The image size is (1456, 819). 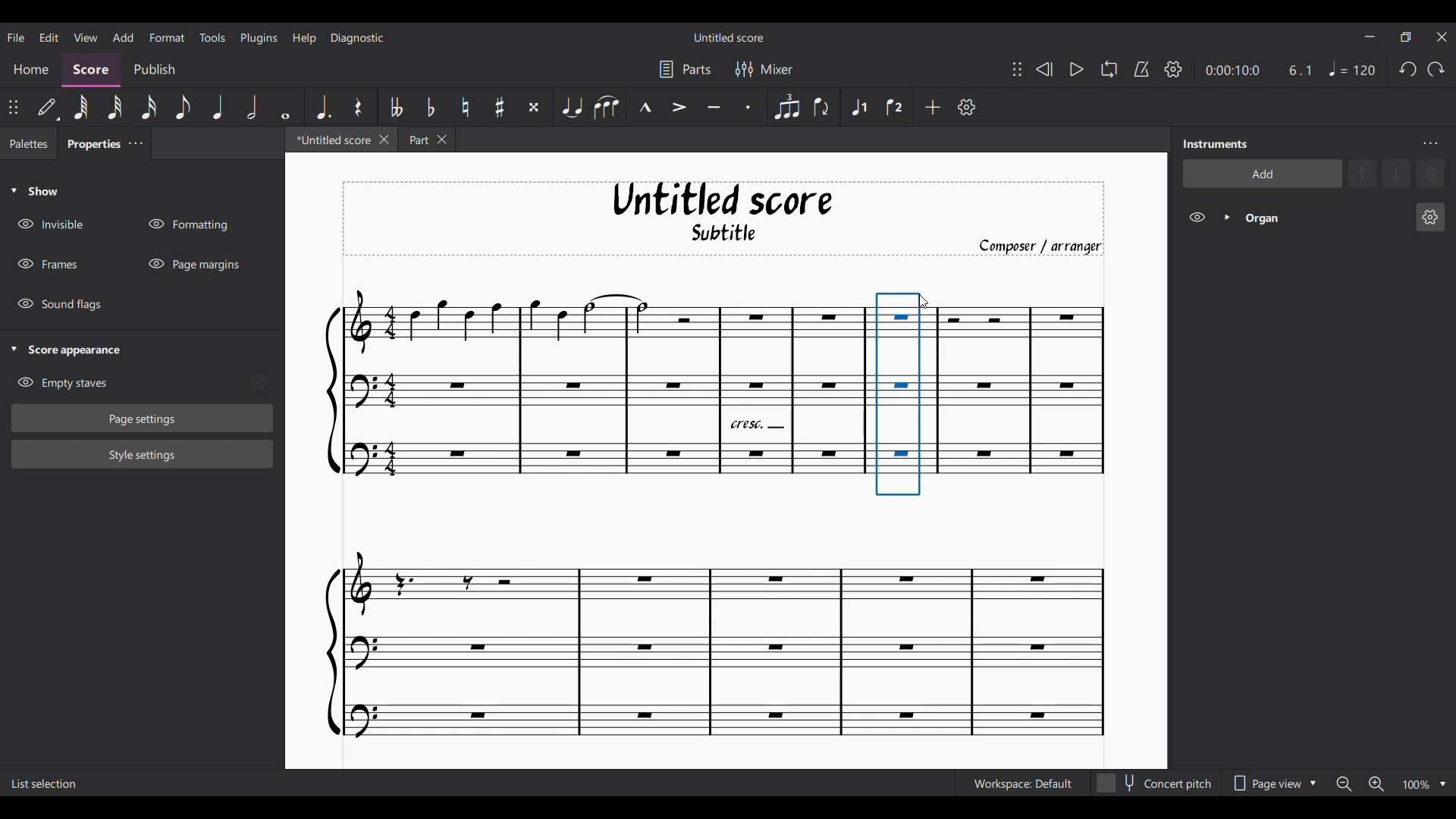 I want to click on Hide Empty staves, so click(x=62, y=383).